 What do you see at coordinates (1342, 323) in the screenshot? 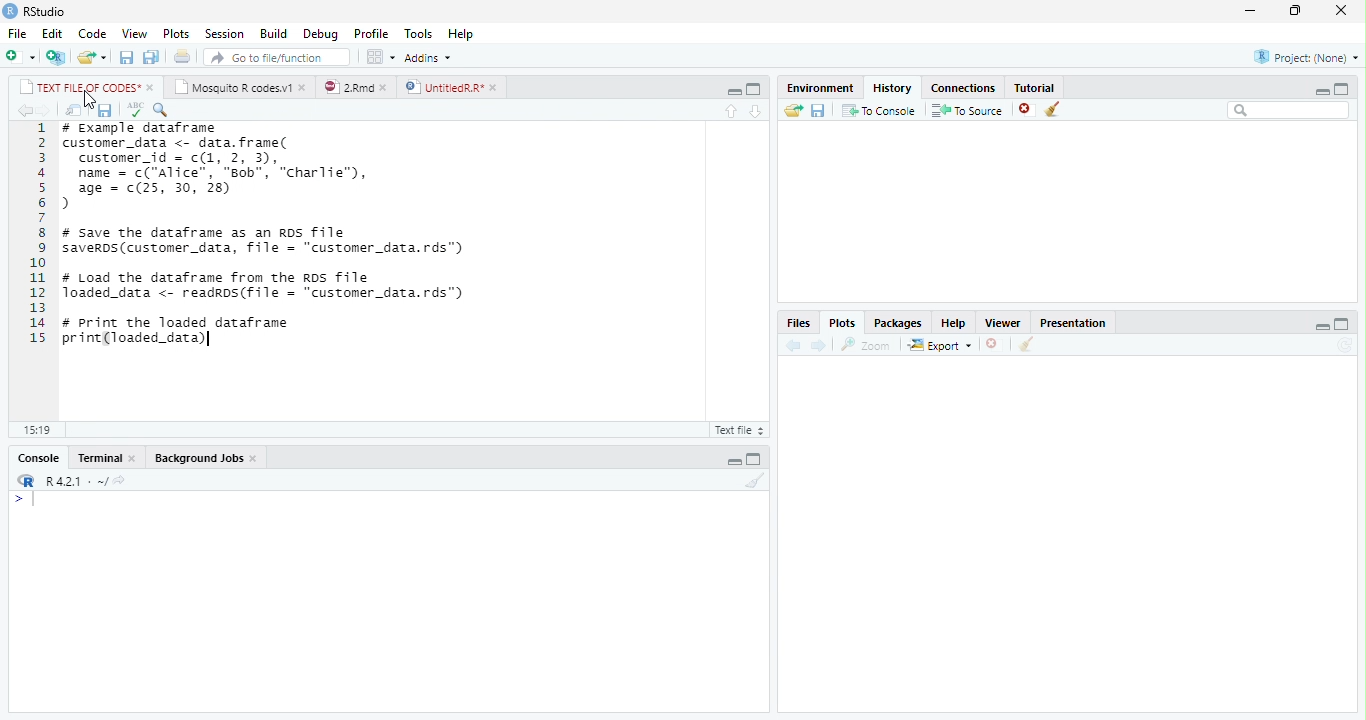
I see `maximize` at bounding box center [1342, 323].